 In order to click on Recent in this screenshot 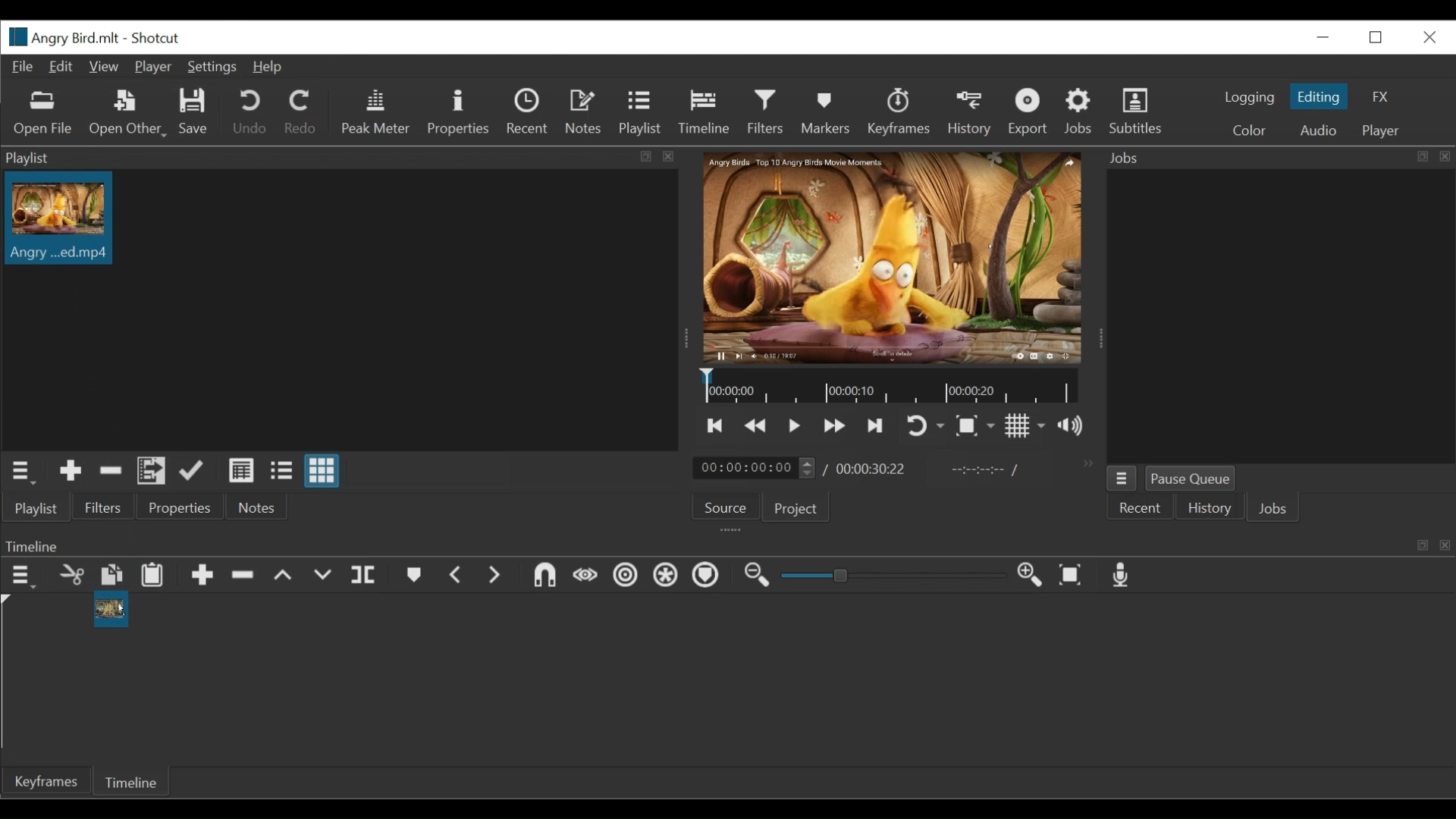, I will do `click(1141, 507)`.